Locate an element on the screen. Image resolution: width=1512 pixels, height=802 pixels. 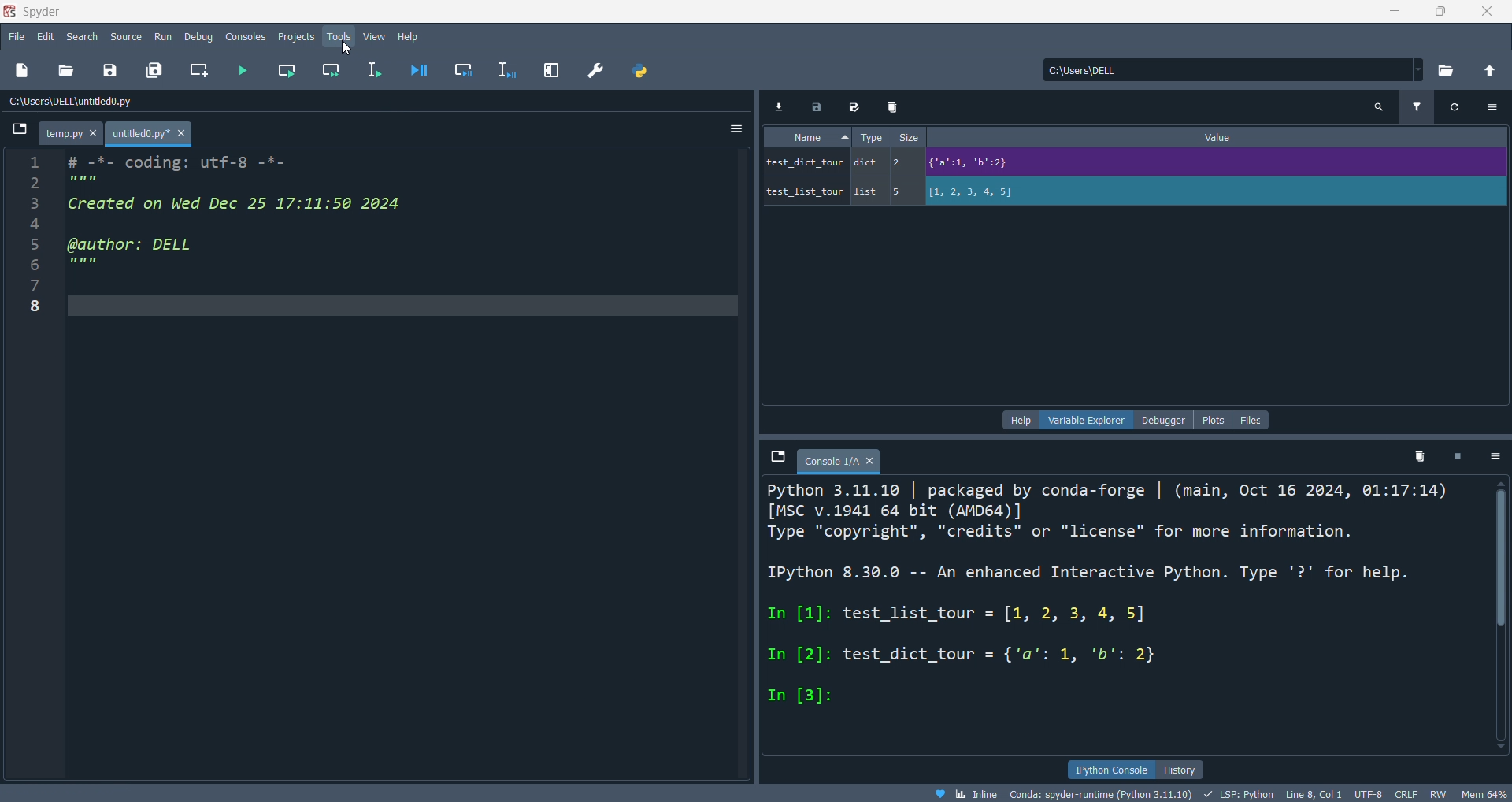
save is located at coordinates (113, 70).